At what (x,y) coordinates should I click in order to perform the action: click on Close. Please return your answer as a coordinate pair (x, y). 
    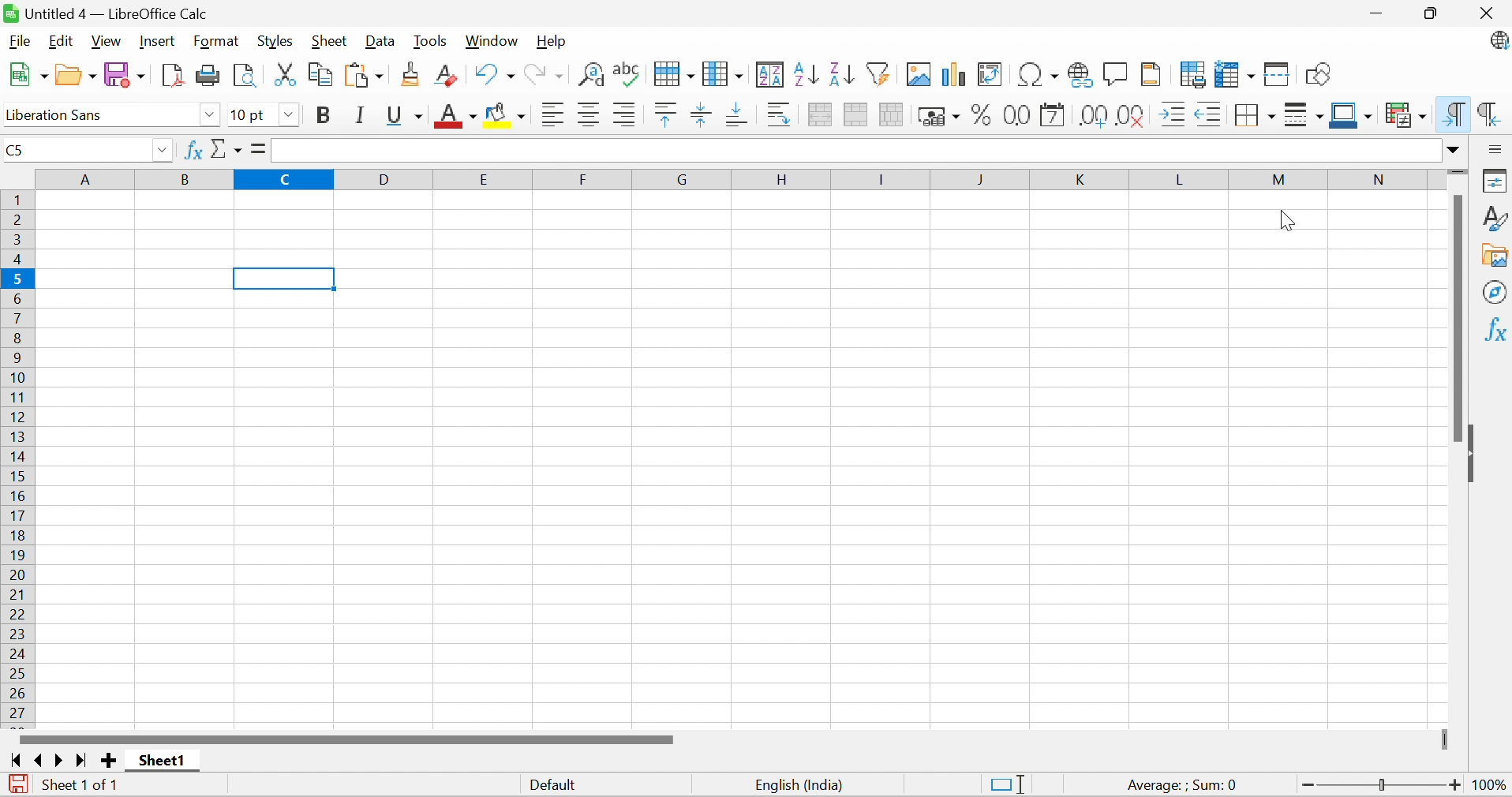
    Looking at the image, I should click on (1487, 13).